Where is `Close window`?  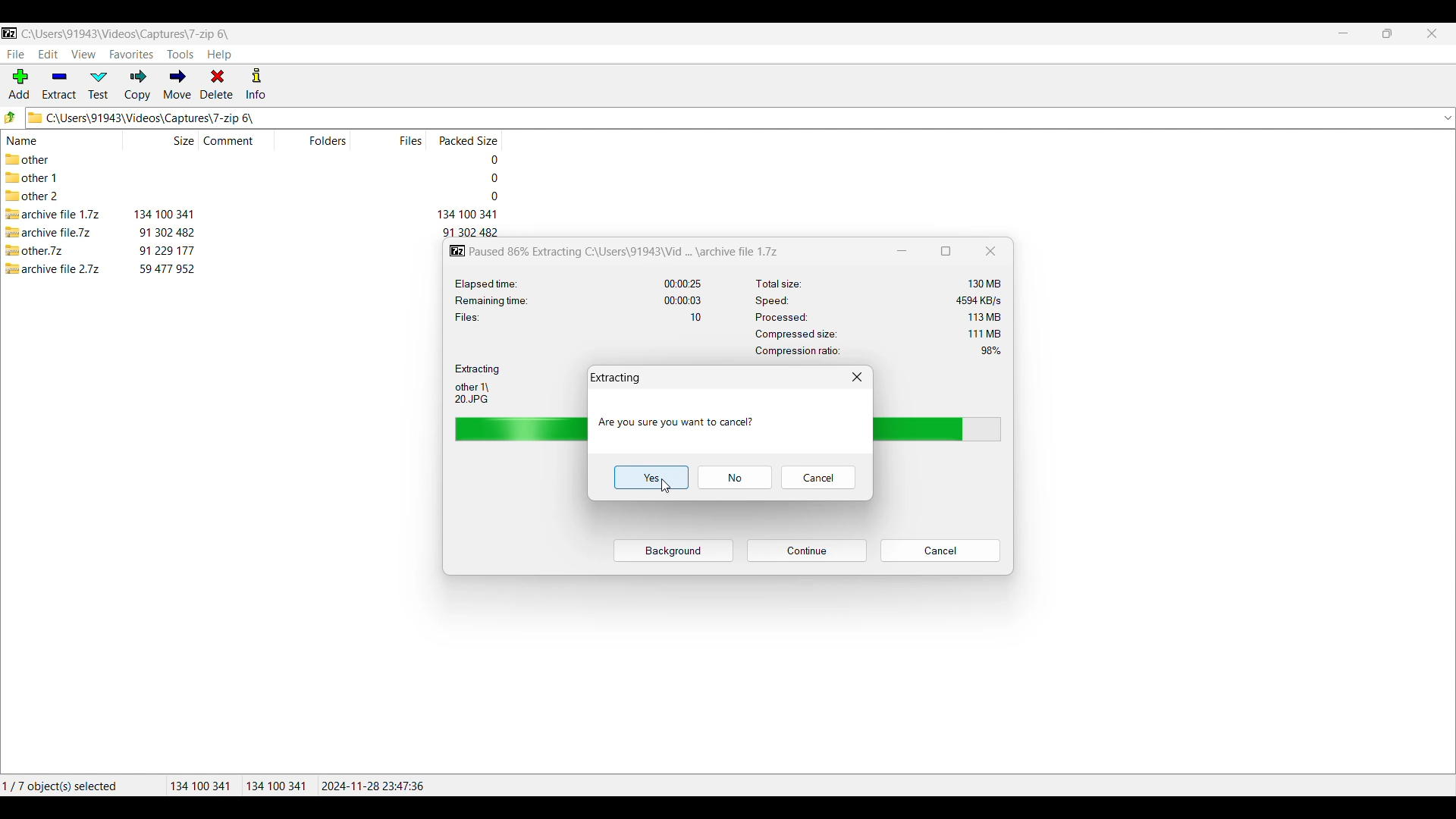
Close window is located at coordinates (858, 377).